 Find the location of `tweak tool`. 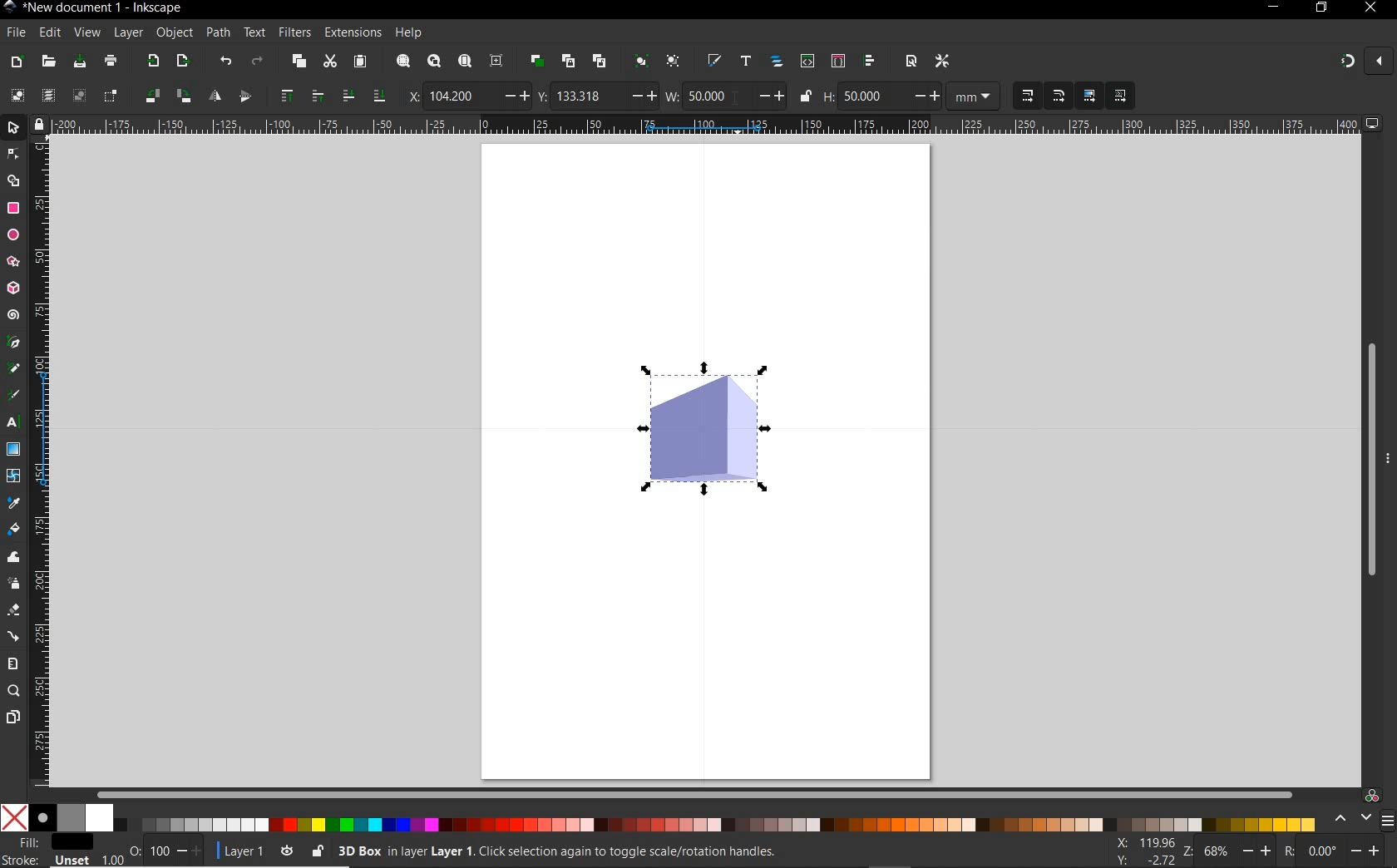

tweak tool is located at coordinates (13, 558).